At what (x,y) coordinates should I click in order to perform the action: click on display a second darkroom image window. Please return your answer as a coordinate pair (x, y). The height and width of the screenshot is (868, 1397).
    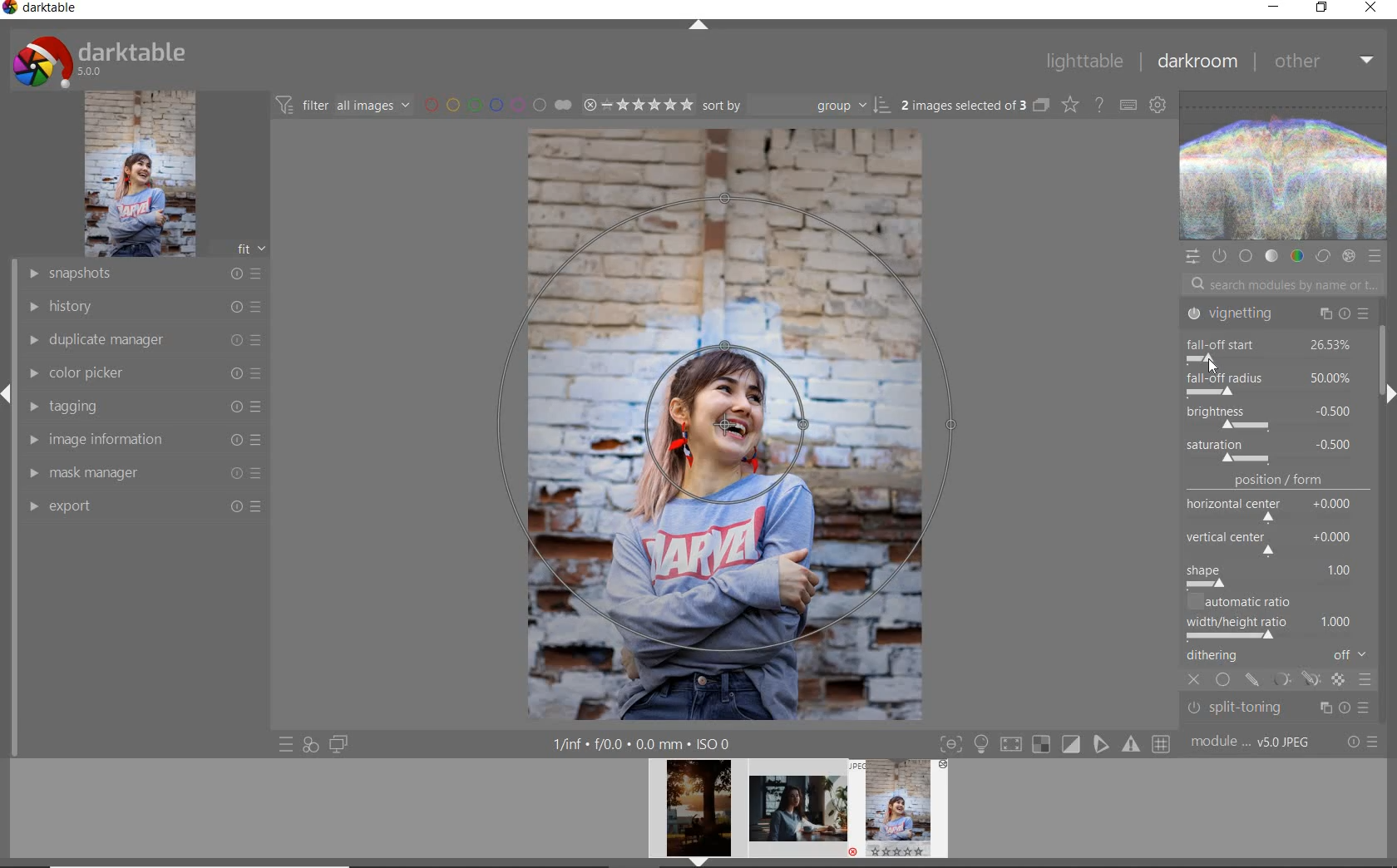
    Looking at the image, I should click on (339, 744).